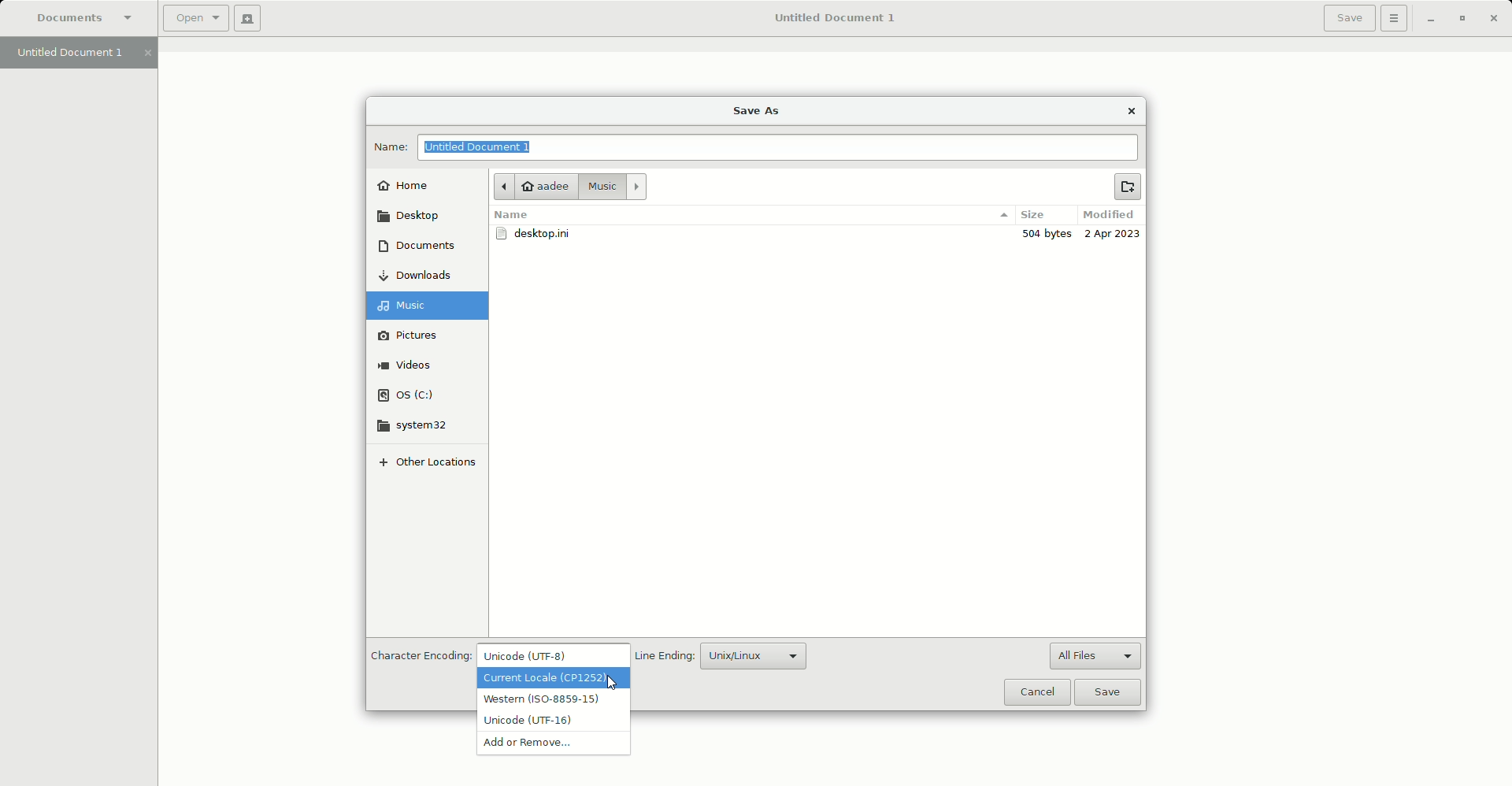 The width and height of the screenshot is (1512, 786). What do you see at coordinates (428, 337) in the screenshot?
I see `Pictures` at bounding box center [428, 337].